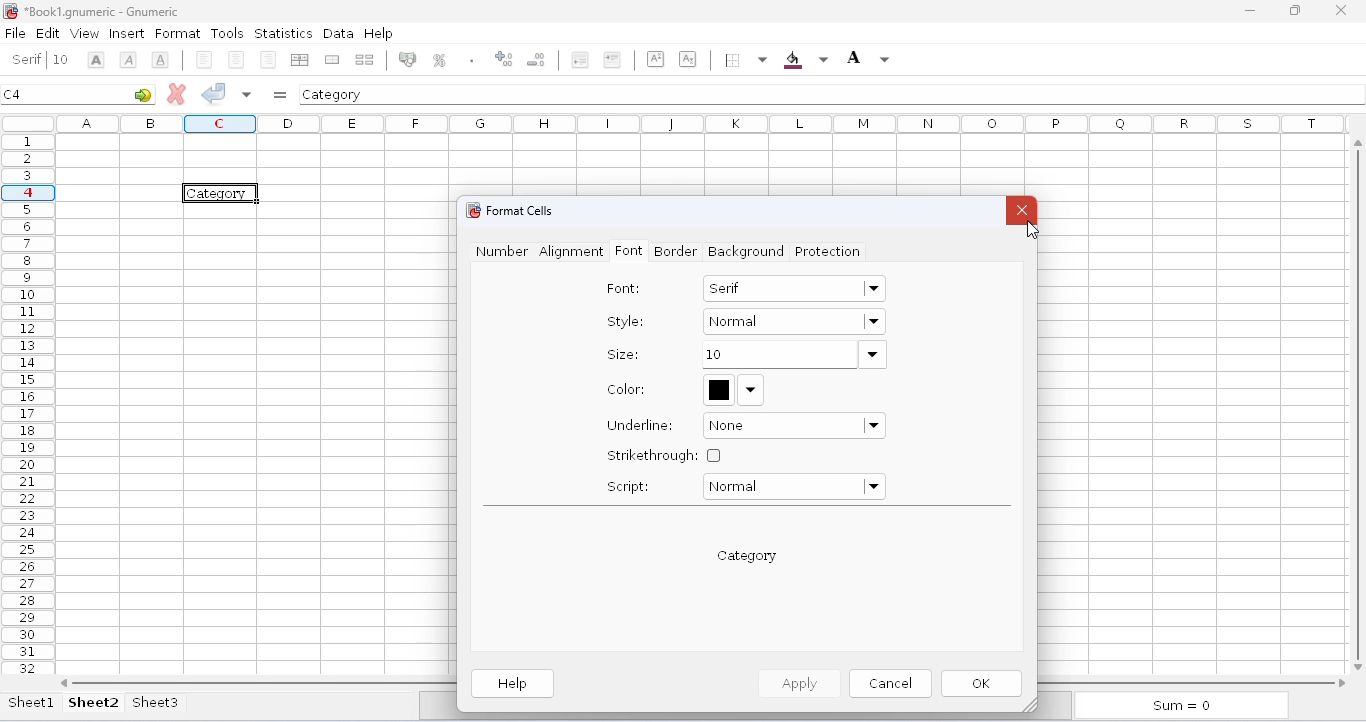  I want to click on increase the indent, so click(656, 59).